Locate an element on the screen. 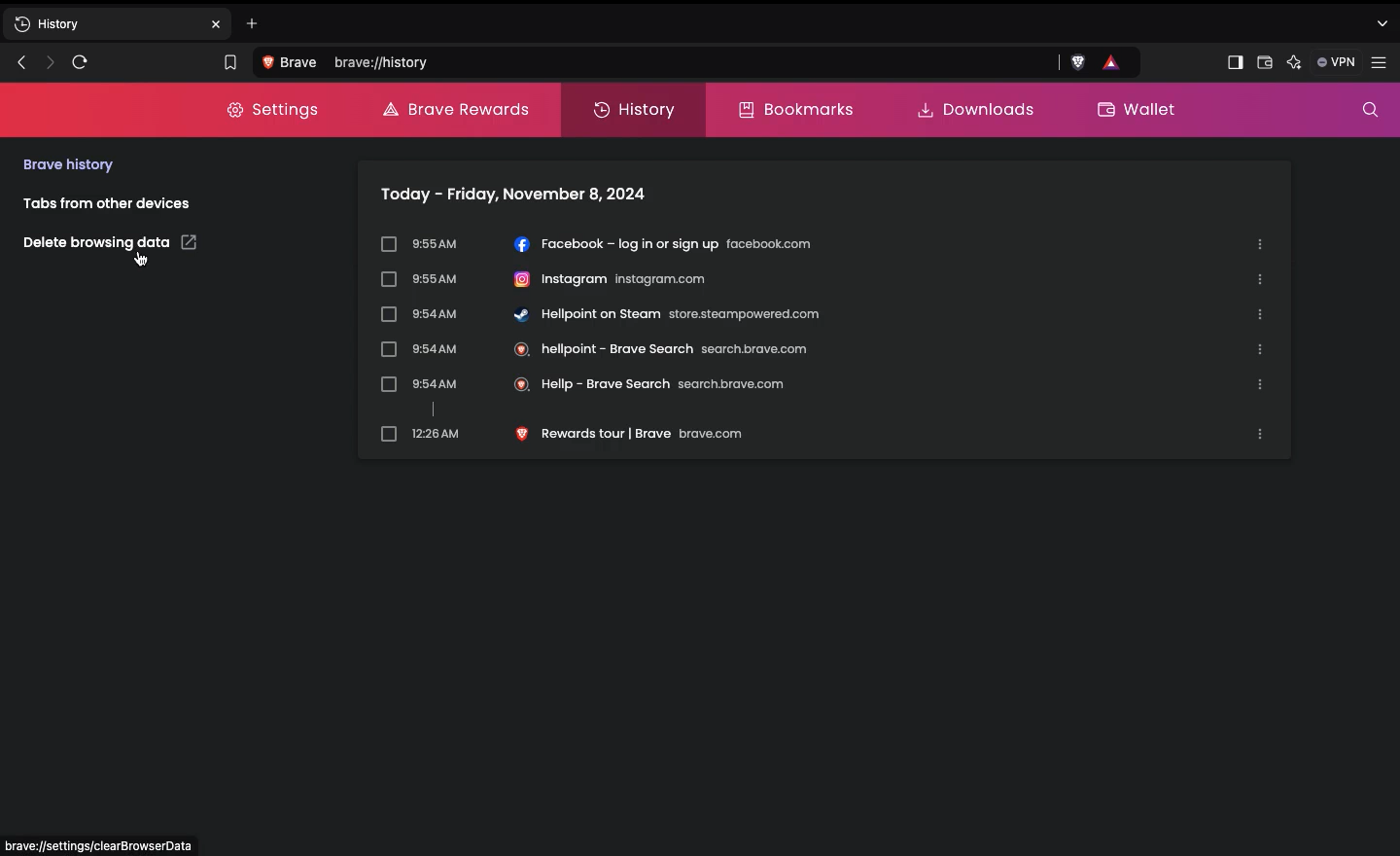 The width and height of the screenshot is (1400, 856). brave shield is located at coordinates (1080, 62).